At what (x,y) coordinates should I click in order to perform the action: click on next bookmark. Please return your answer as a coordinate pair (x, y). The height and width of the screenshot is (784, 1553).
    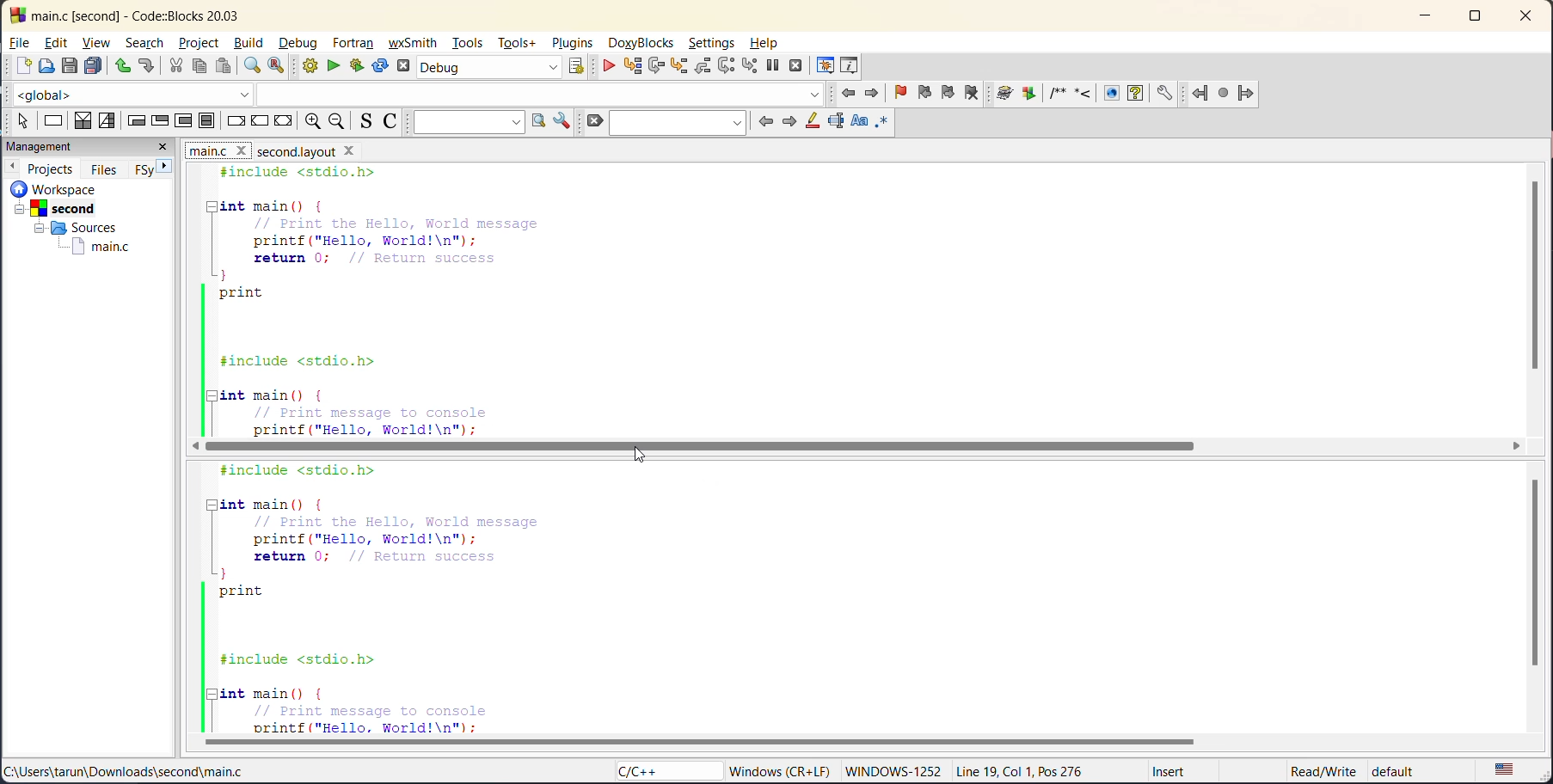
    Looking at the image, I should click on (948, 95).